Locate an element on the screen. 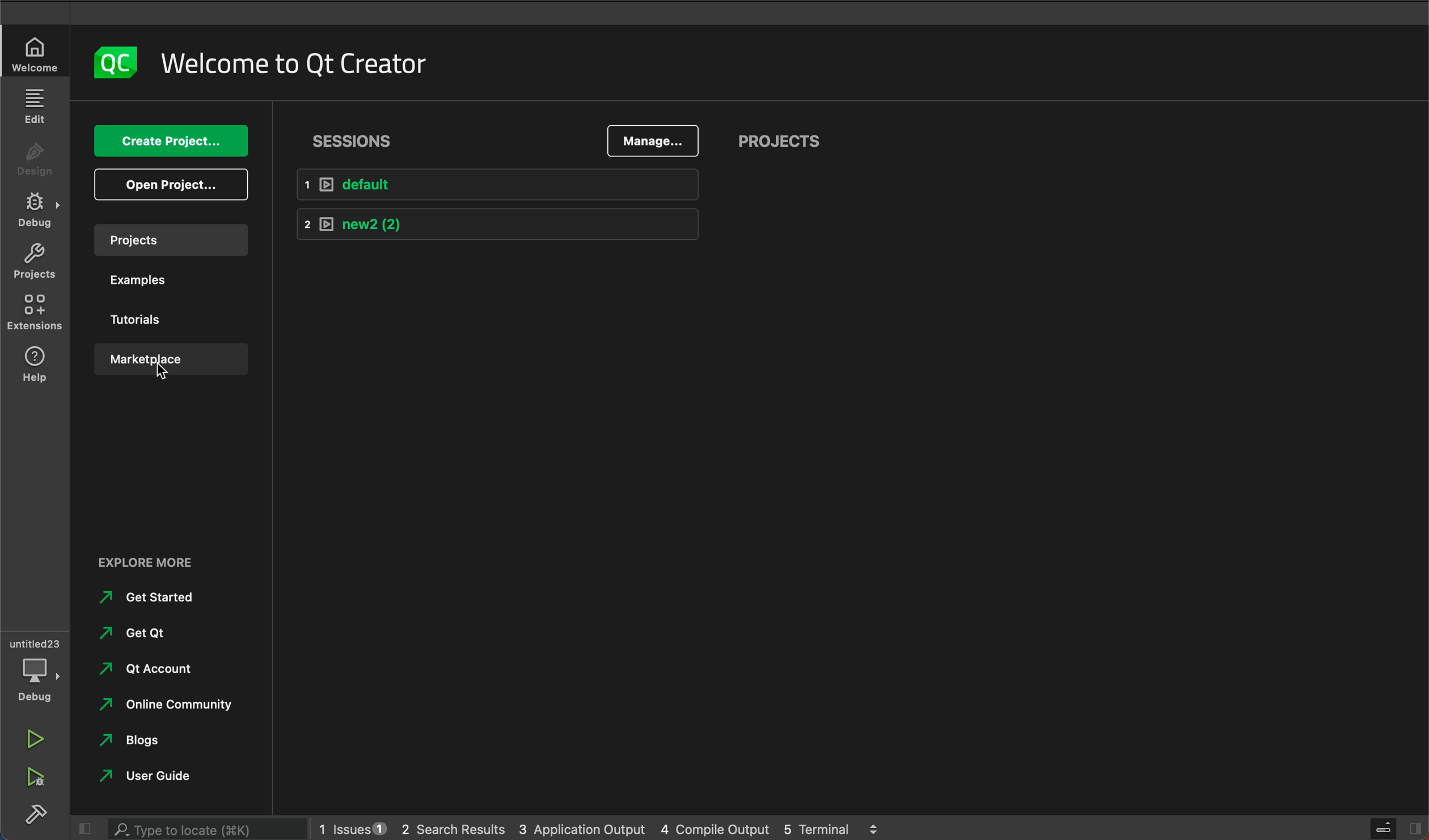 This screenshot has width=1429, height=840. debug is located at coordinates (35, 211).